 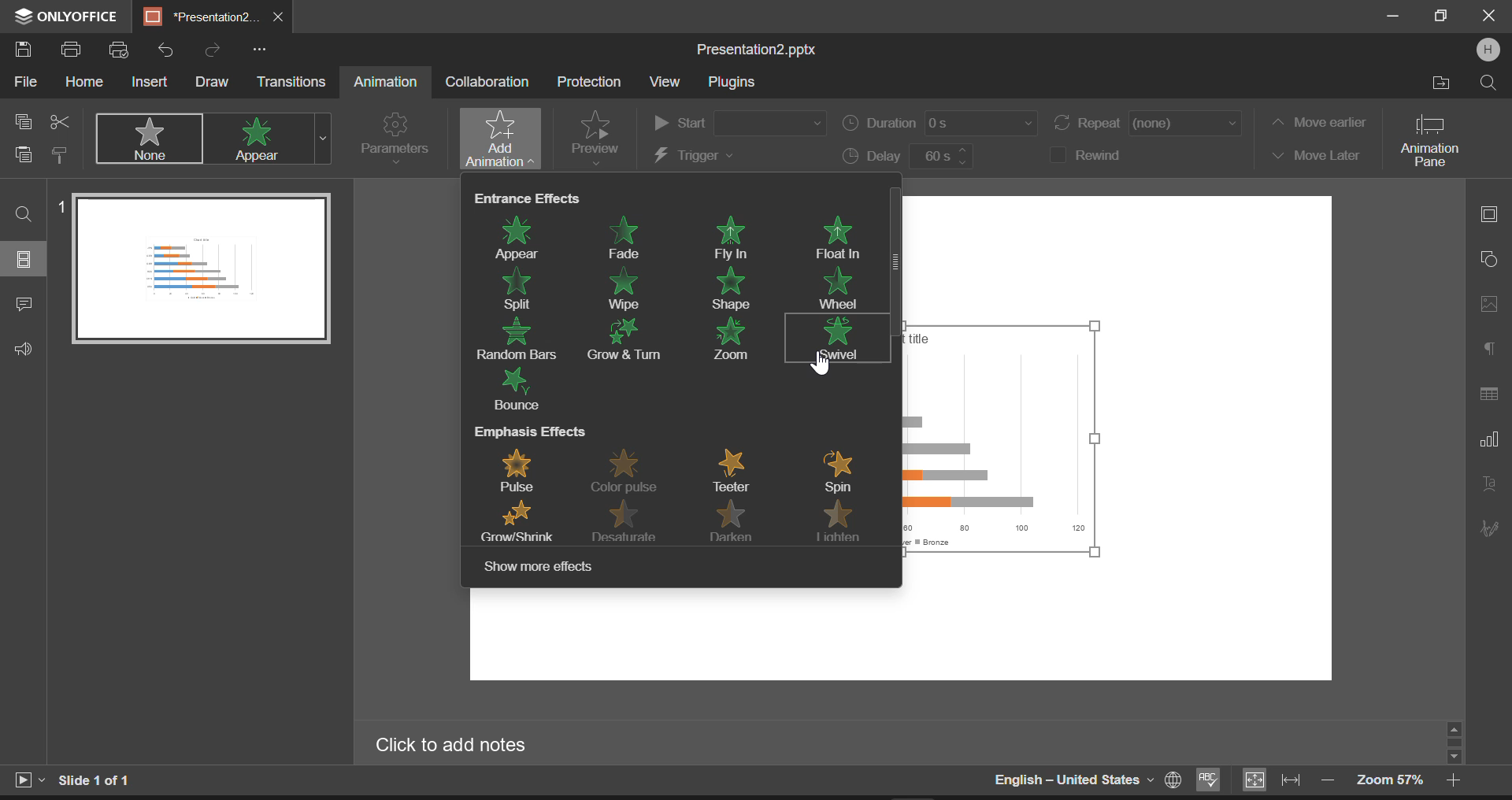 What do you see at coordinates (1488, 439) in the screenshot?
I see `Chart Settings` at bounding box center [1488, 439].